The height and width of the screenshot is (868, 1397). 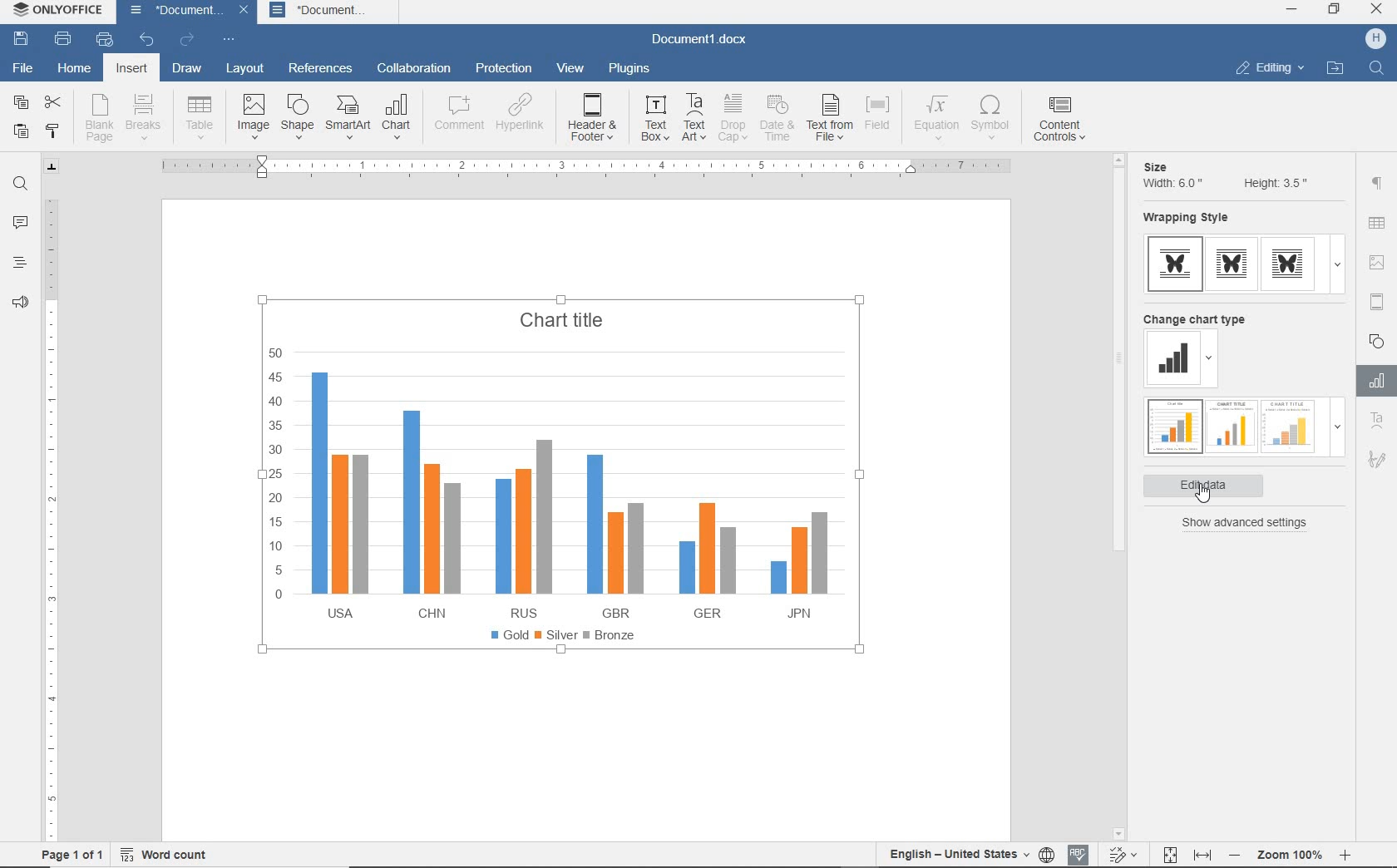 I want to click on cut, so click(x=54, y=101).